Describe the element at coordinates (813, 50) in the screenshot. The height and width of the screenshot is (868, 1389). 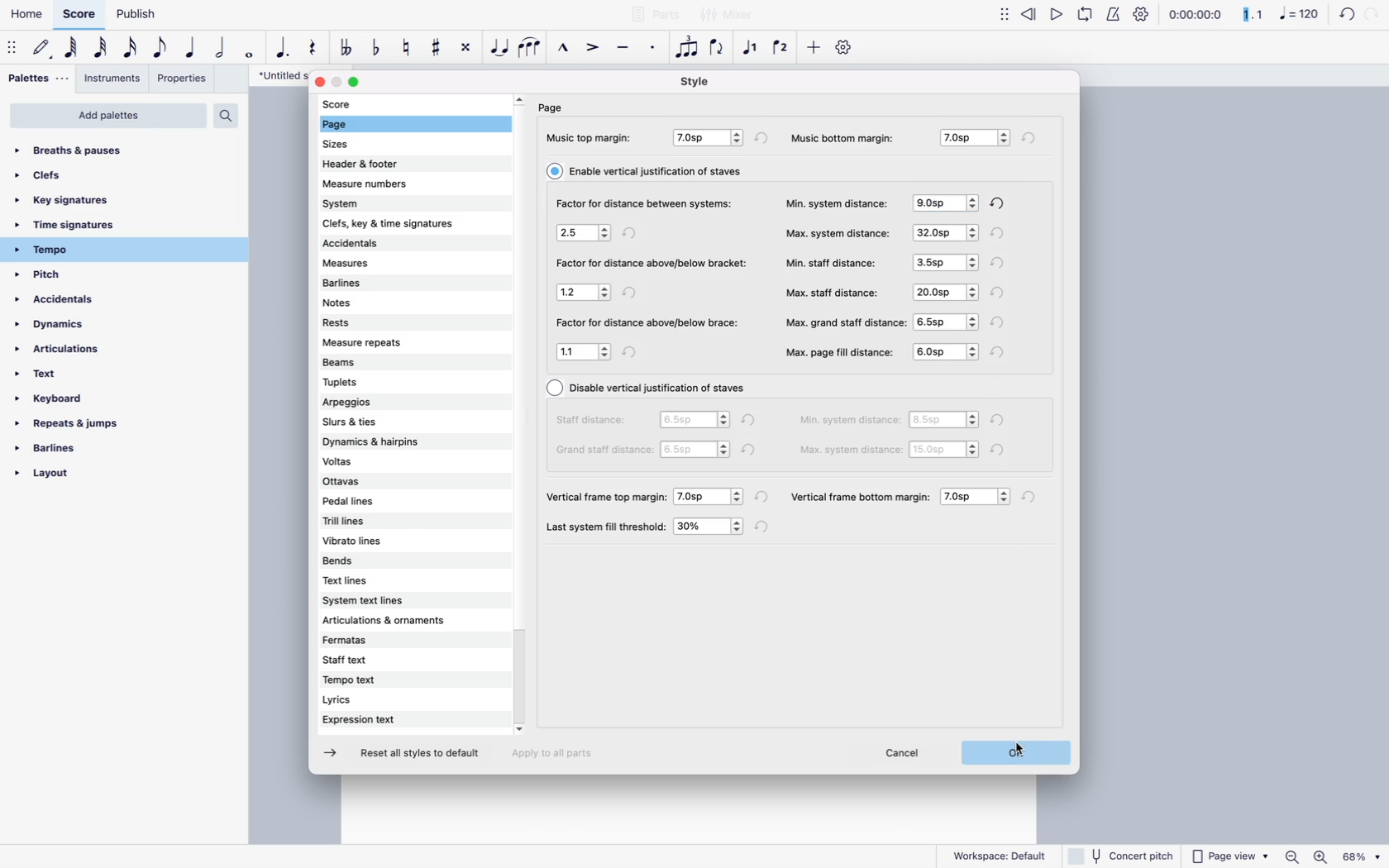
I see `more` at that location.